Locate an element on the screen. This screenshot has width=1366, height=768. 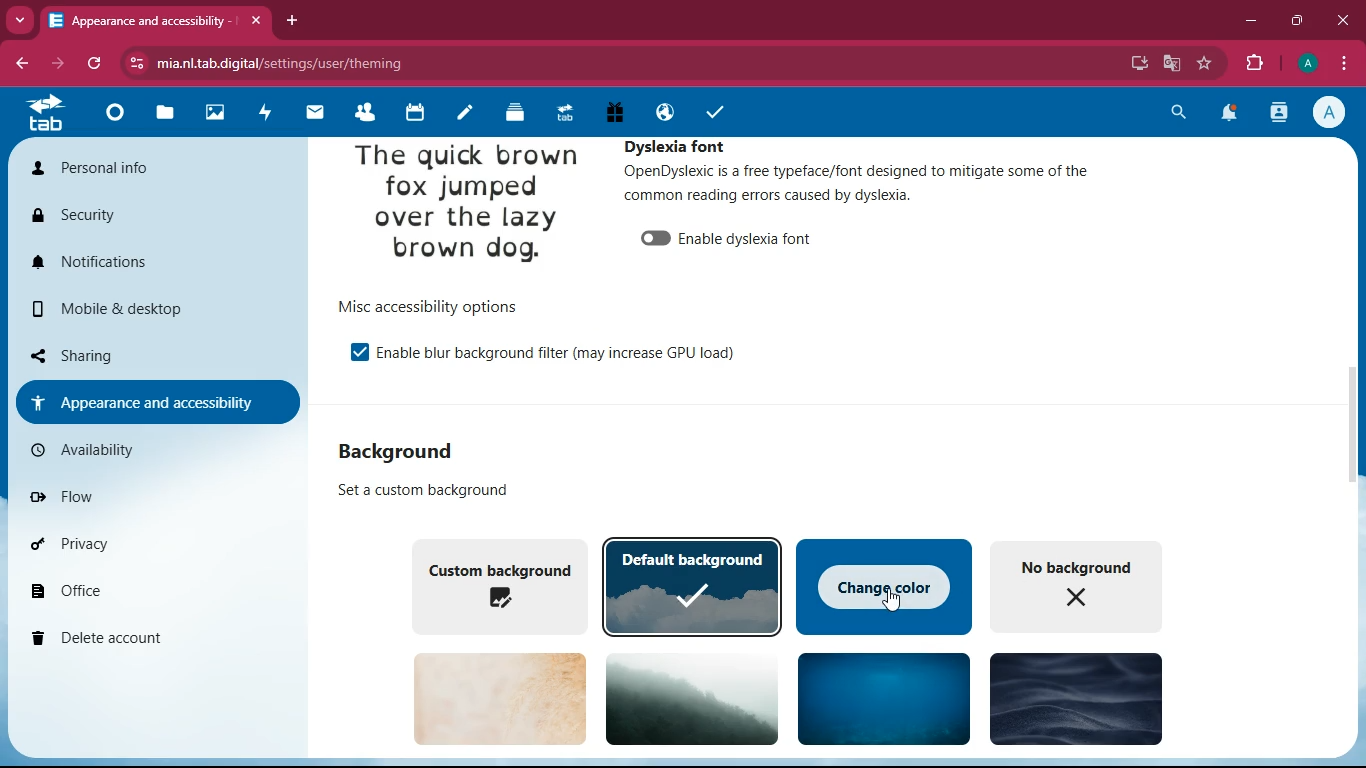
public is located at coordinates (661, 112).